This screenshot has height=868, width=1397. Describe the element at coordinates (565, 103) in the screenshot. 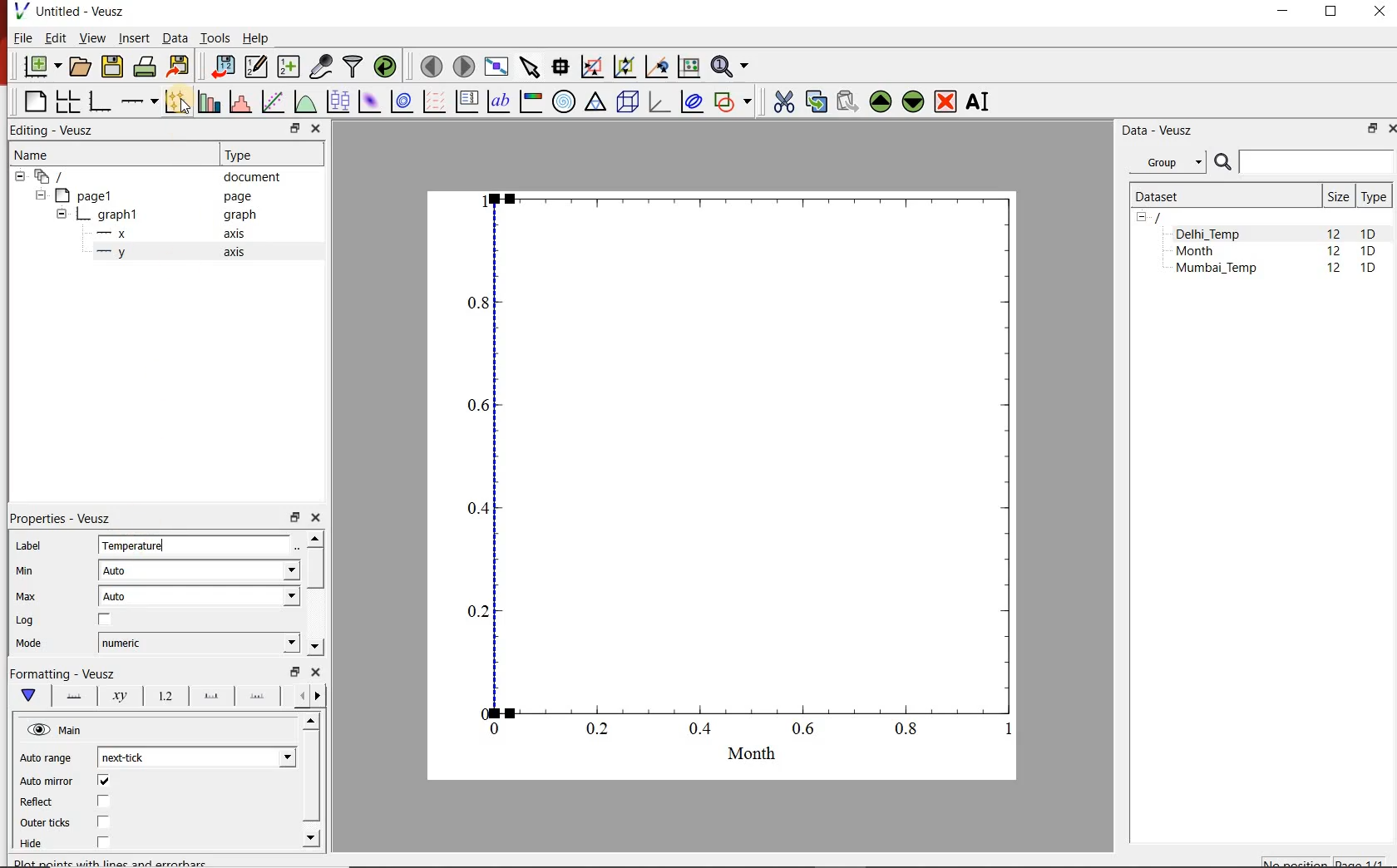

I see `polar graph` at that location.